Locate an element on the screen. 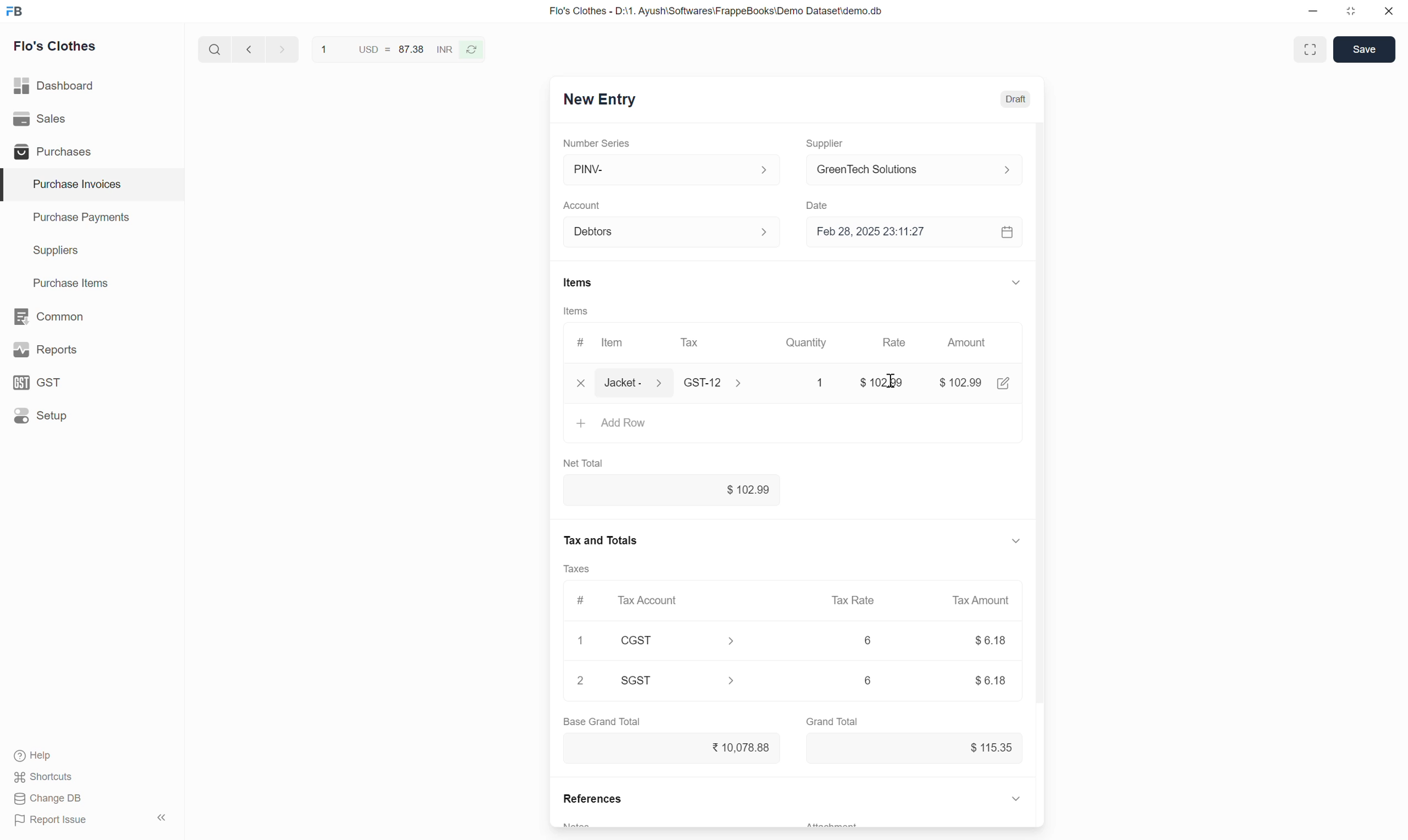 This screenshot has height=840, width=1408. Tax and Totals is located at coordinates (599, 541).